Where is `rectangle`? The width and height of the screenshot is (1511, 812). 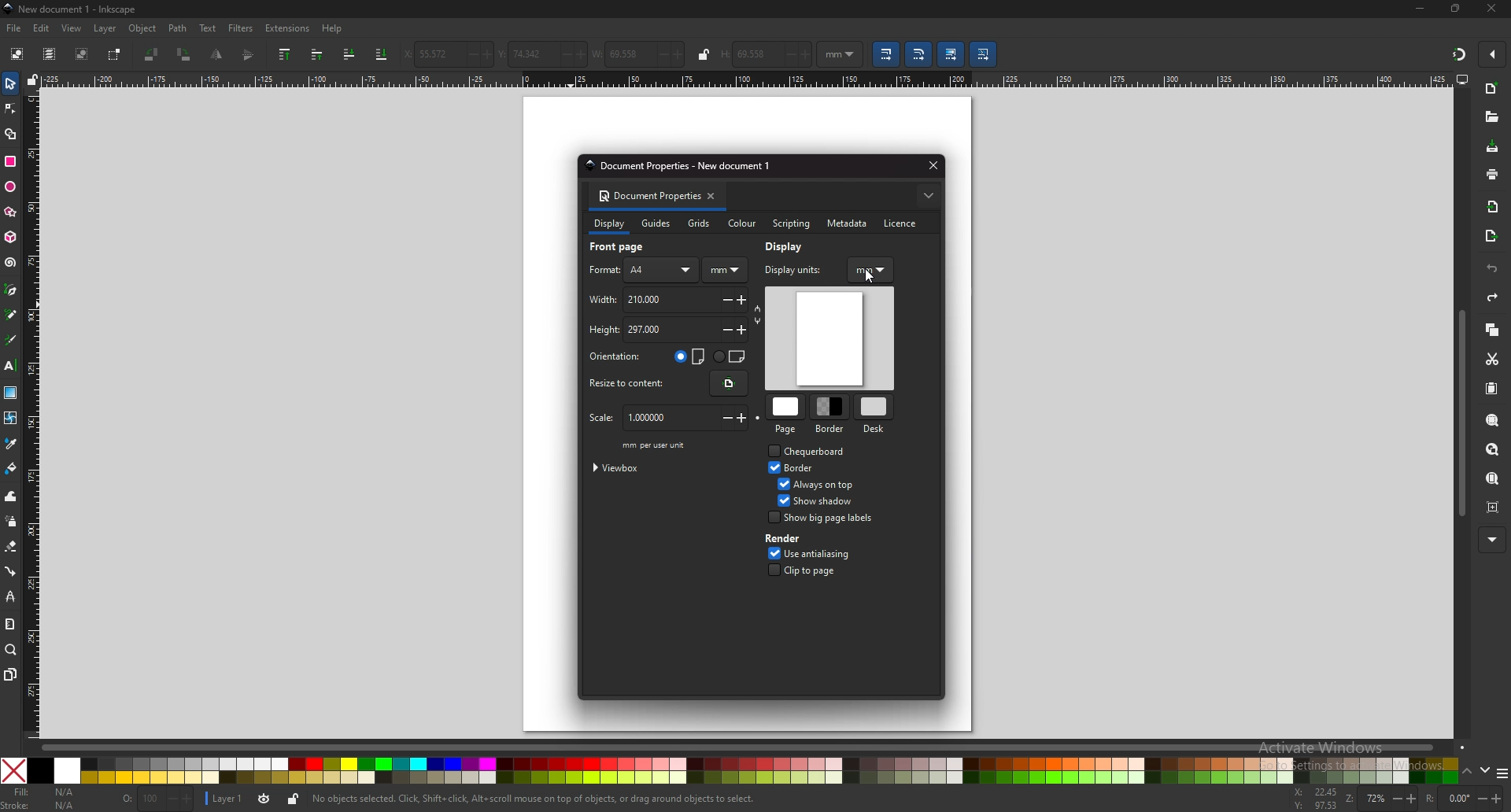 rectangle is located at coordinates (10, 161).